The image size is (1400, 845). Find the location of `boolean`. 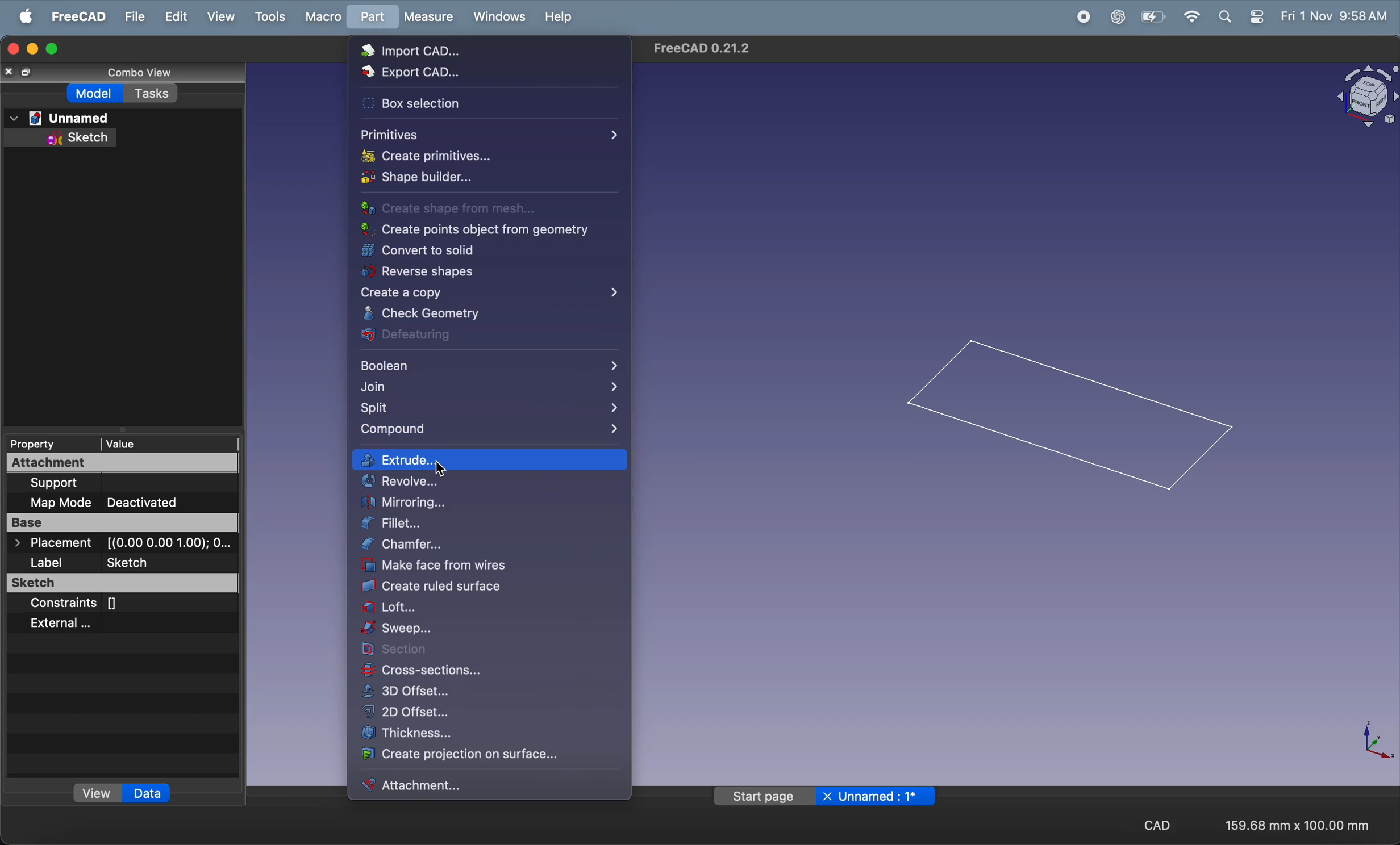

boolean is located at coordinates (489, 365).